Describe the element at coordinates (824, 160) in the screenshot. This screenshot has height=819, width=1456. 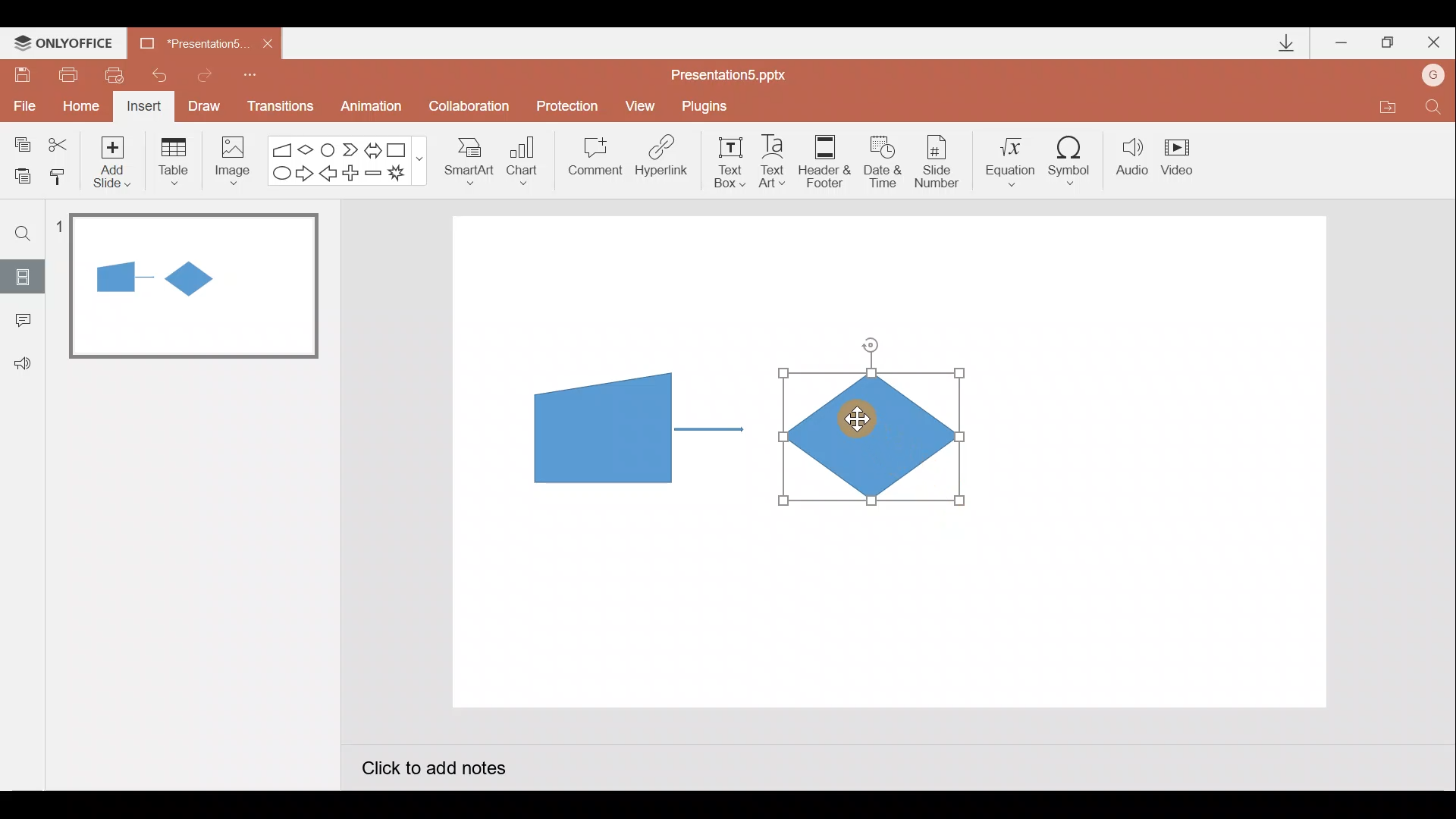
I see `Header & footer` at that location.